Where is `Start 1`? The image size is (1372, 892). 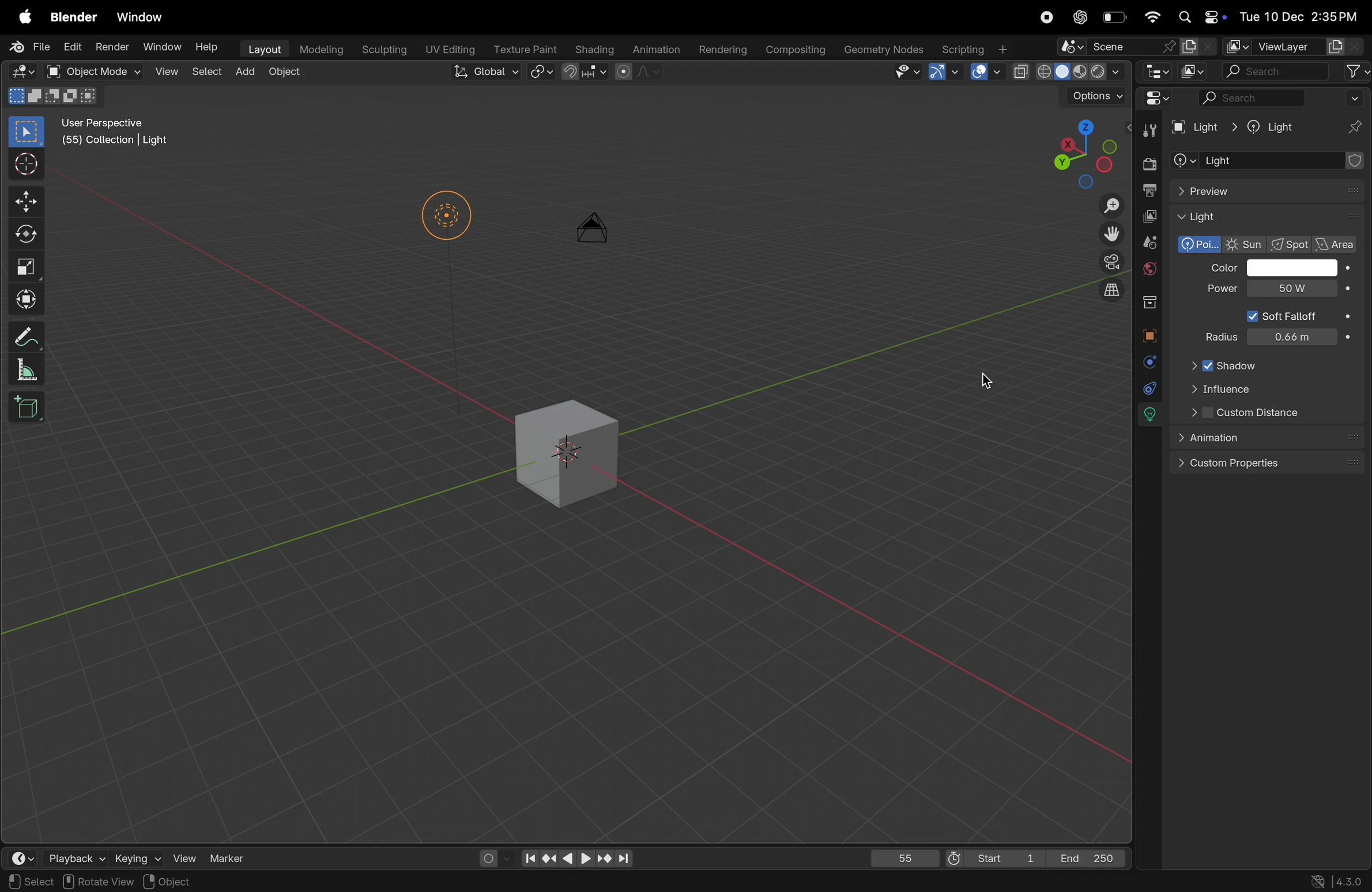 Start 1 is located at coordinates (993, 856).